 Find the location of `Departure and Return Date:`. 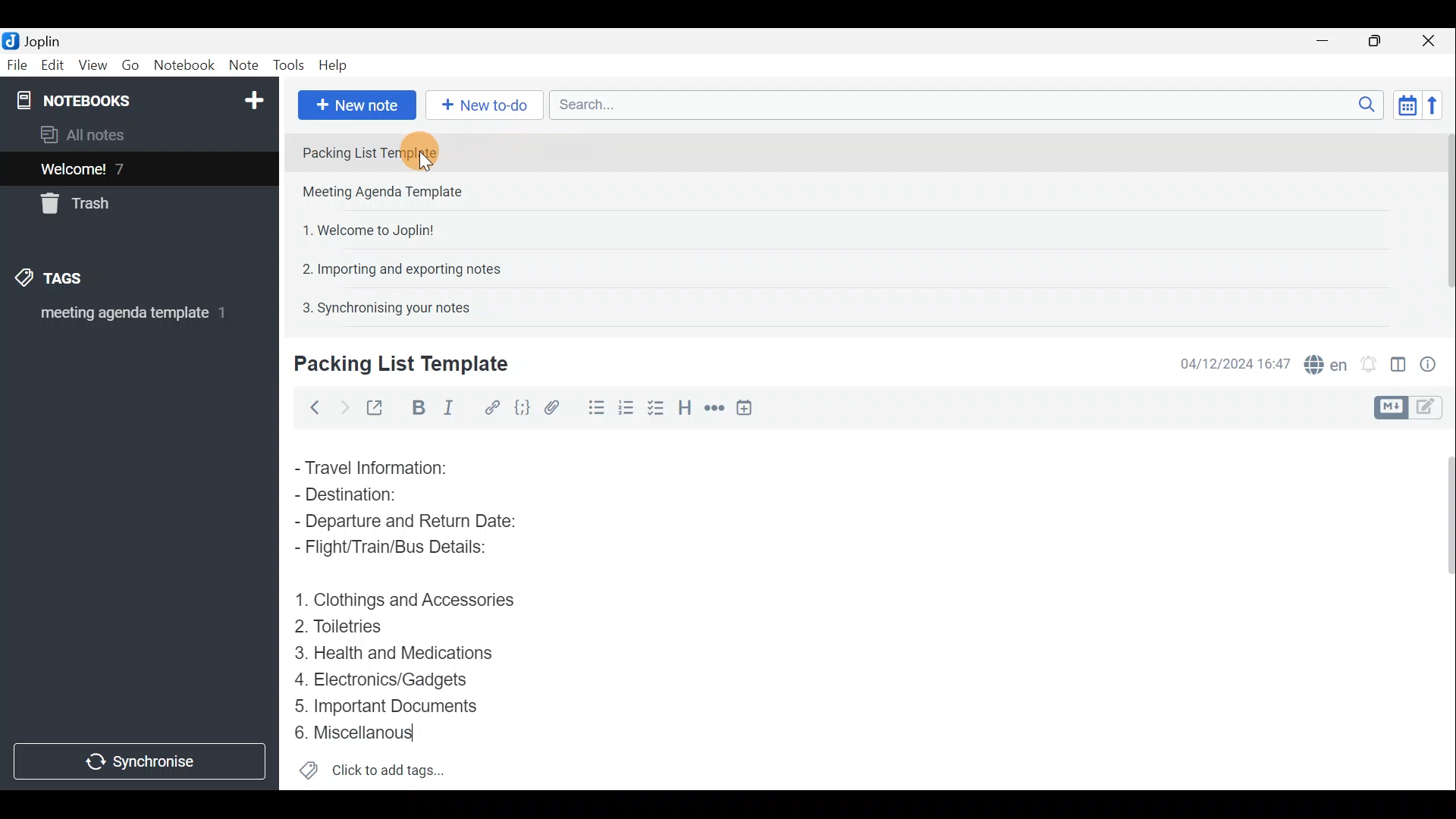

Departure and Return Date: is located at coordinates (407, 523).